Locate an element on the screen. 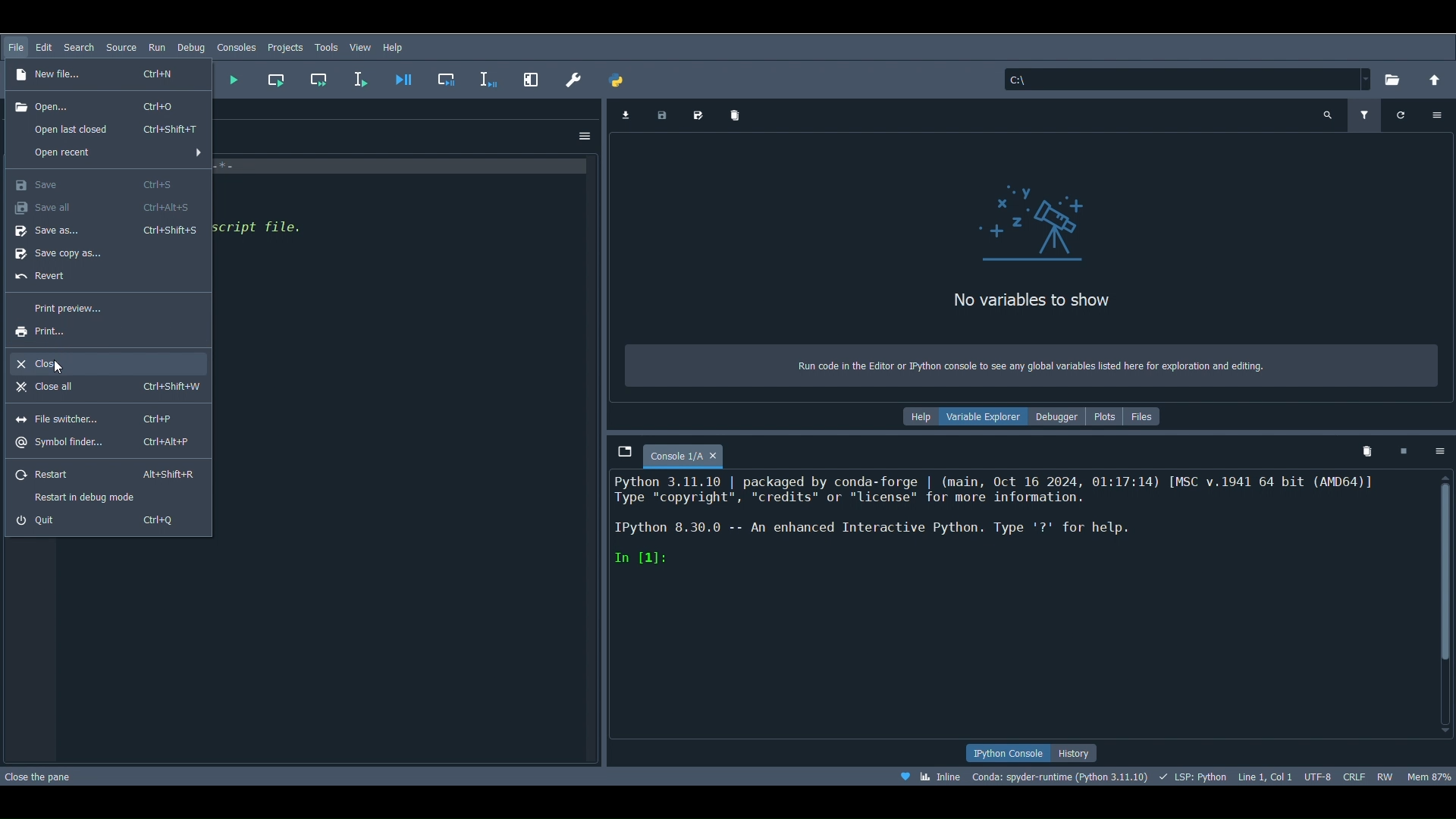  File switcher is located at coordinates (101, 416).